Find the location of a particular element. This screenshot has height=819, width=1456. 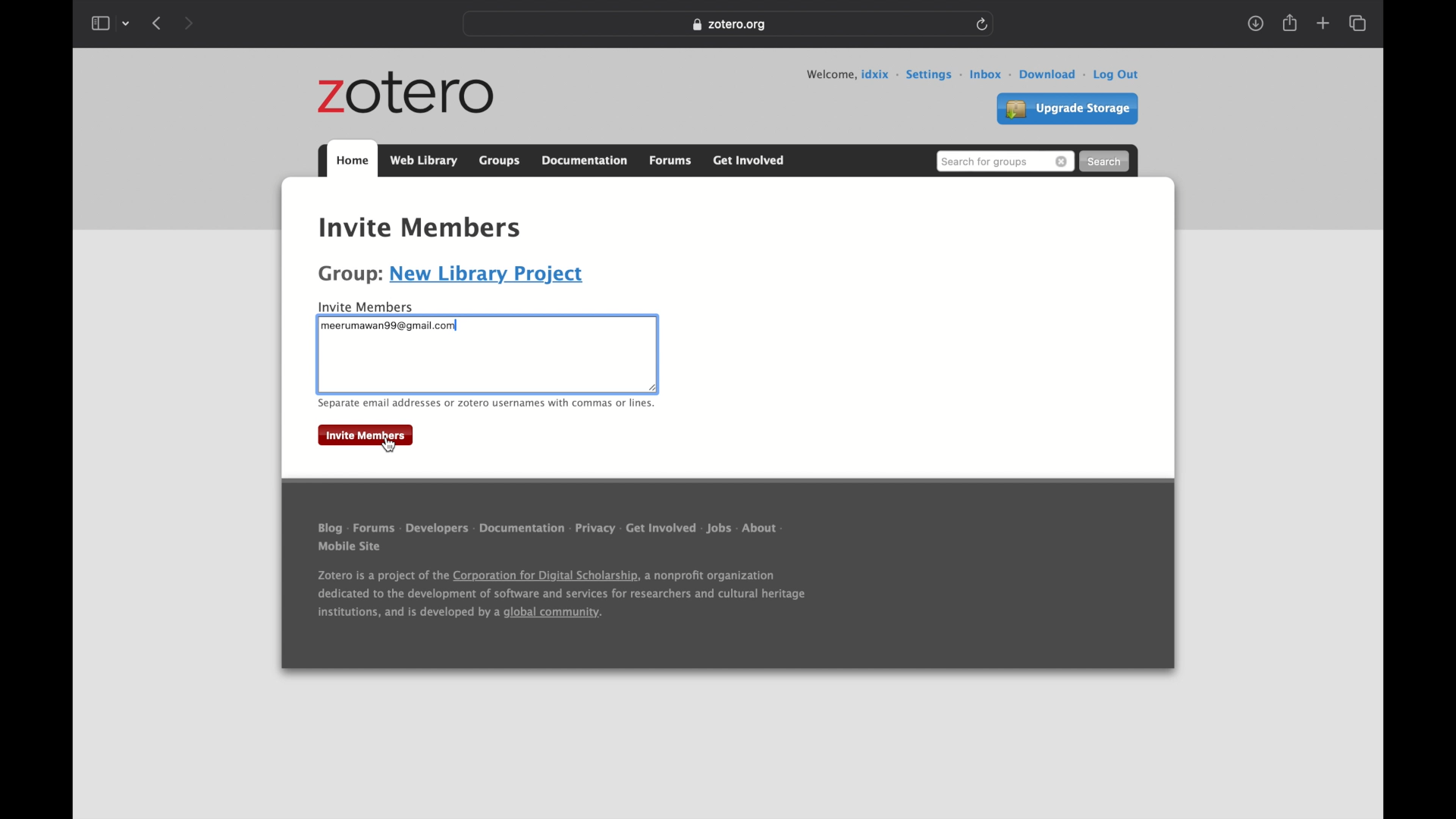

user id is located at coordinates (879, 74).